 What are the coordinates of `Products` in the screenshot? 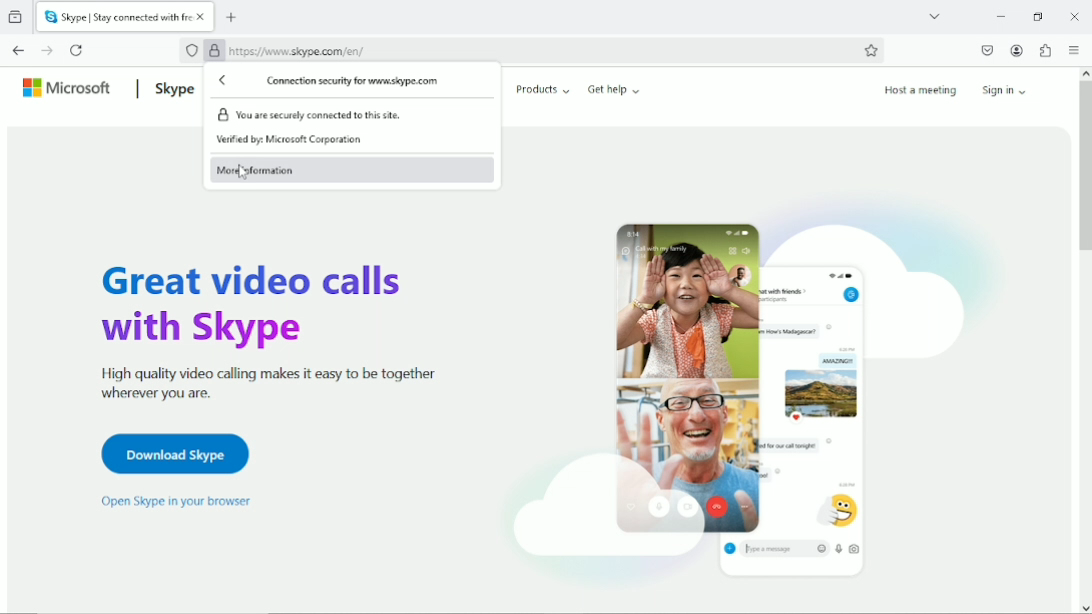 It's located at (543, 89).